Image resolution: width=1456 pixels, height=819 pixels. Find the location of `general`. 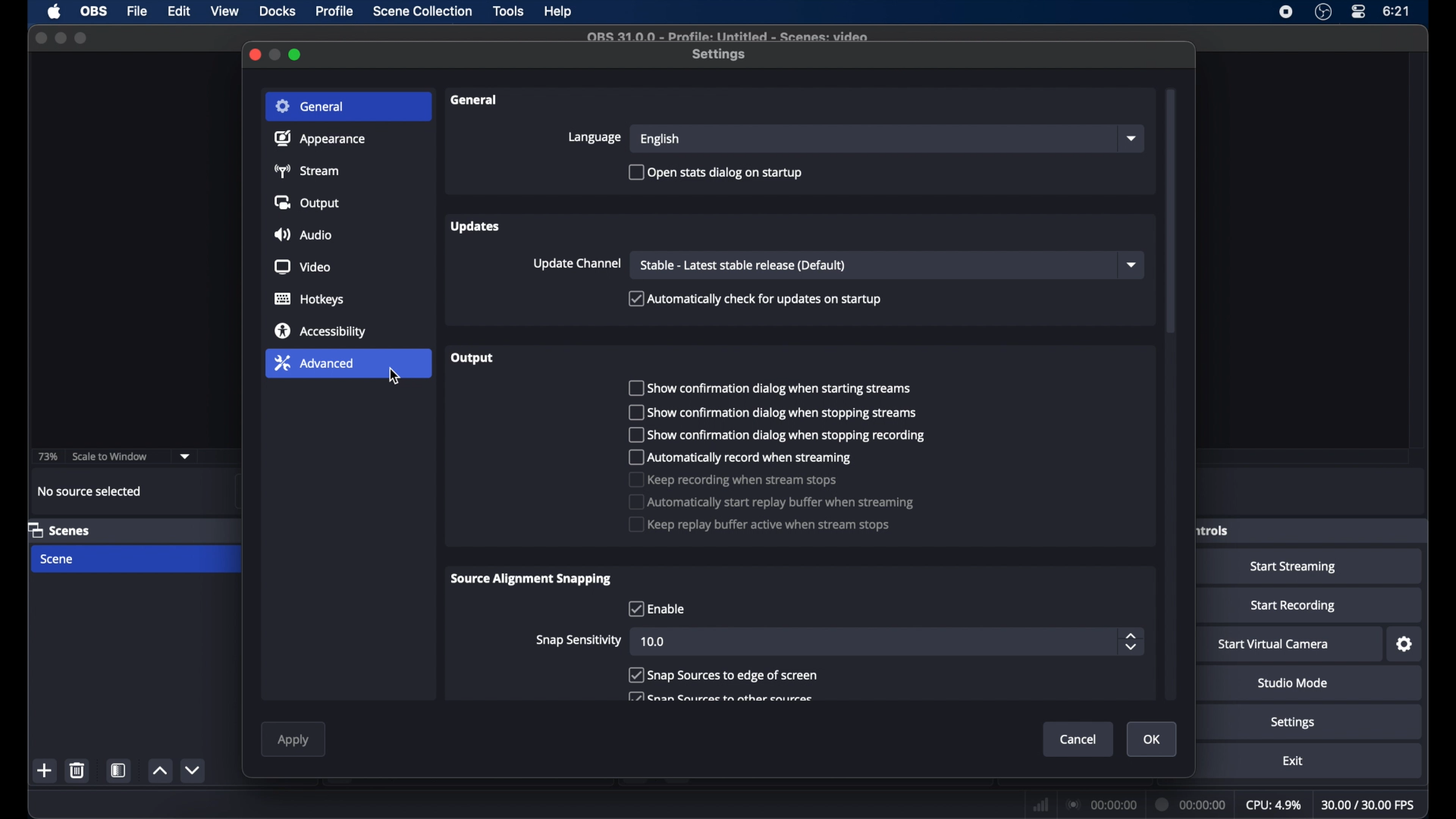

general is located at coordinates (473, 100).